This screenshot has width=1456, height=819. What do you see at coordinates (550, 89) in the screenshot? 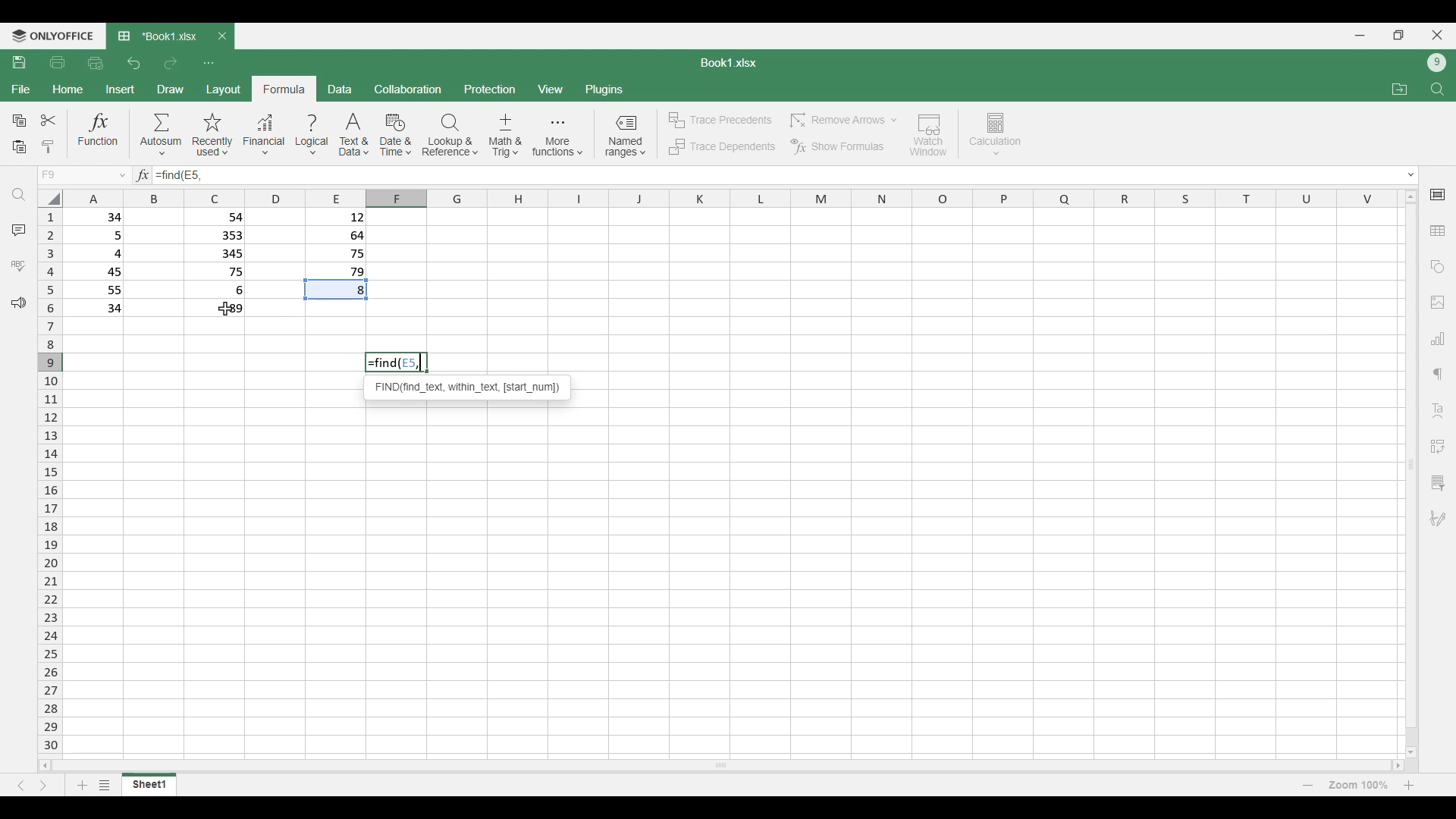
I see `View menu` at bounding box center [550, 89].